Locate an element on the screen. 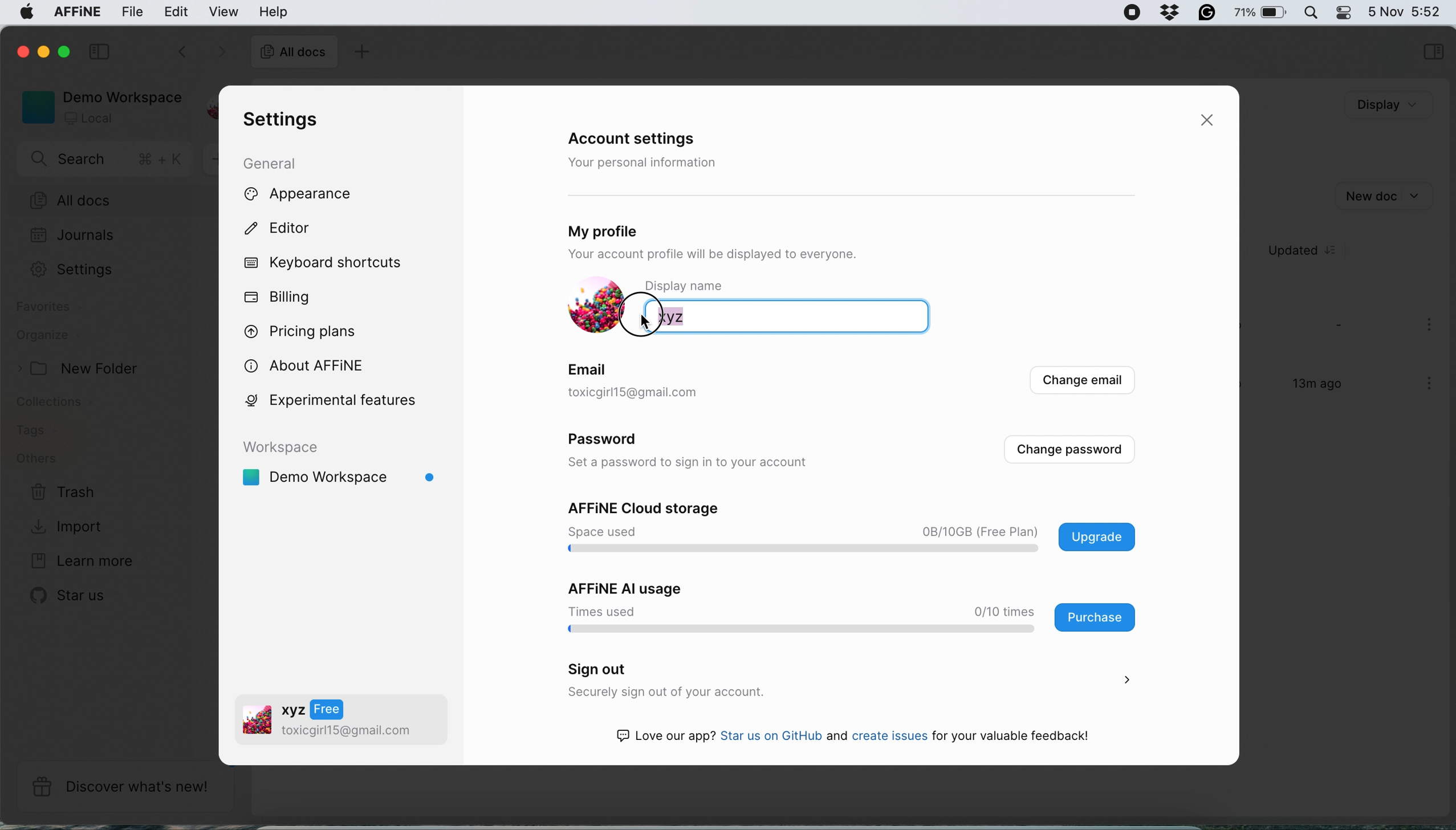 The width and height of the screenshot is (1456, 830). xyz is located at coordinates (717, 316).